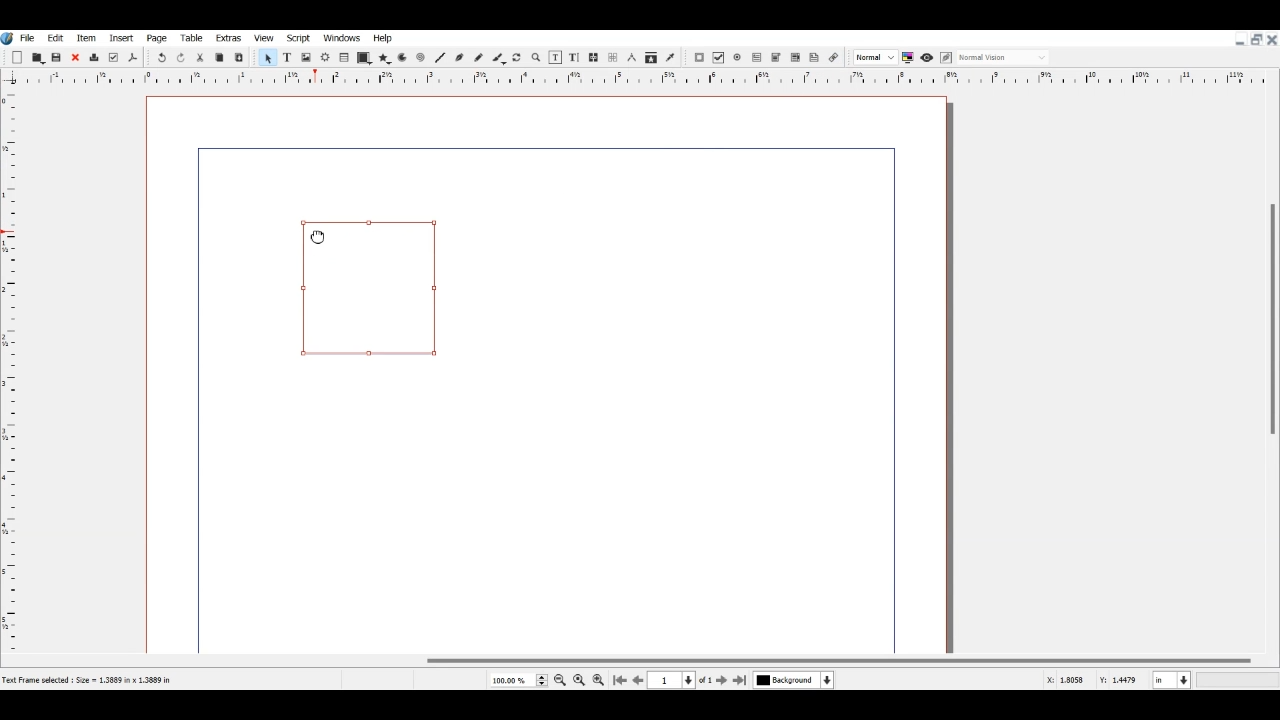  Describe the element at coordinates (594, 57) in the screenshot. I see `Link text Frame` at that location.